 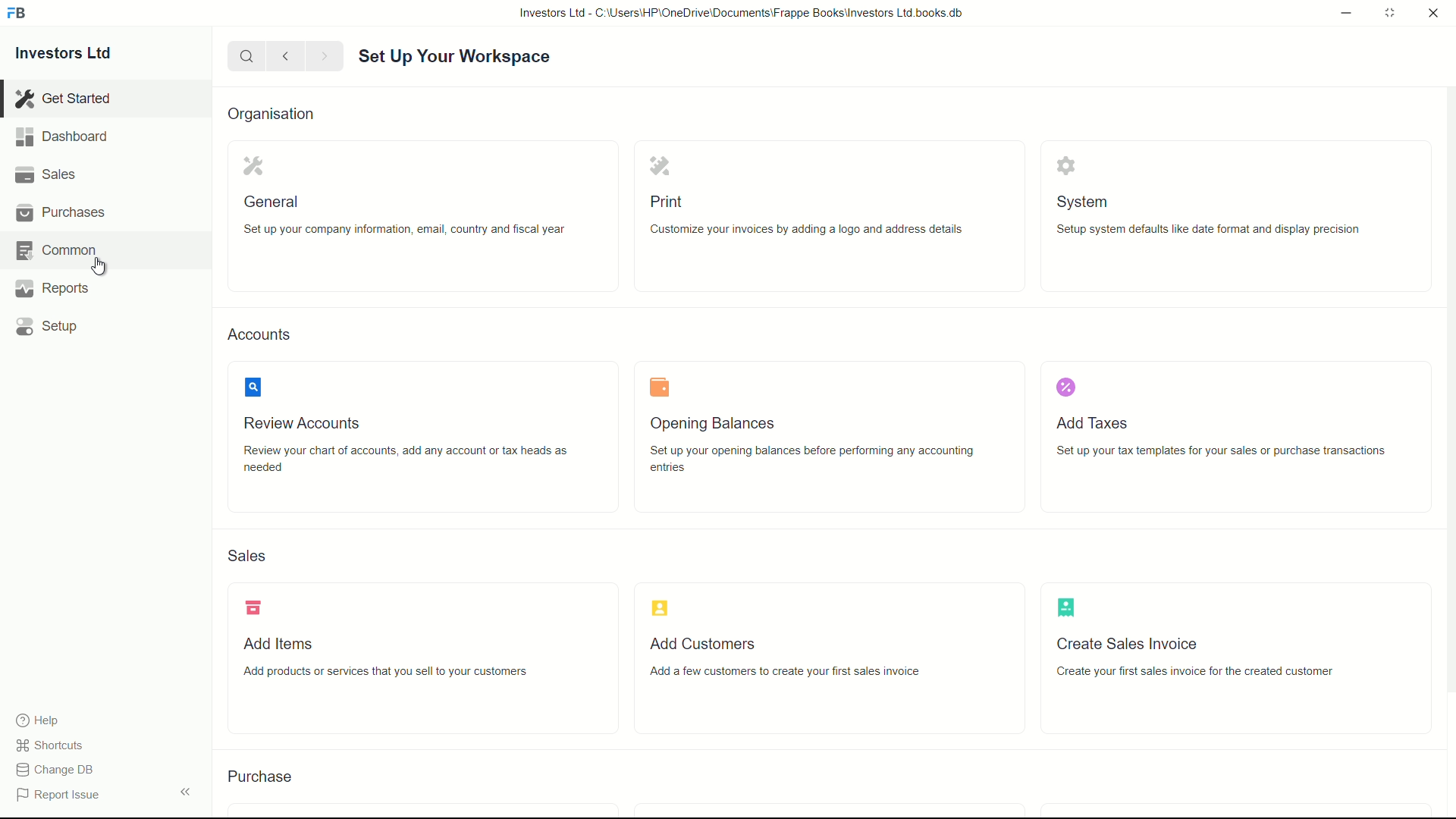 I want to click on ‘Add a Tew customers to create your first sales invoice, so click(x=796, y=670).